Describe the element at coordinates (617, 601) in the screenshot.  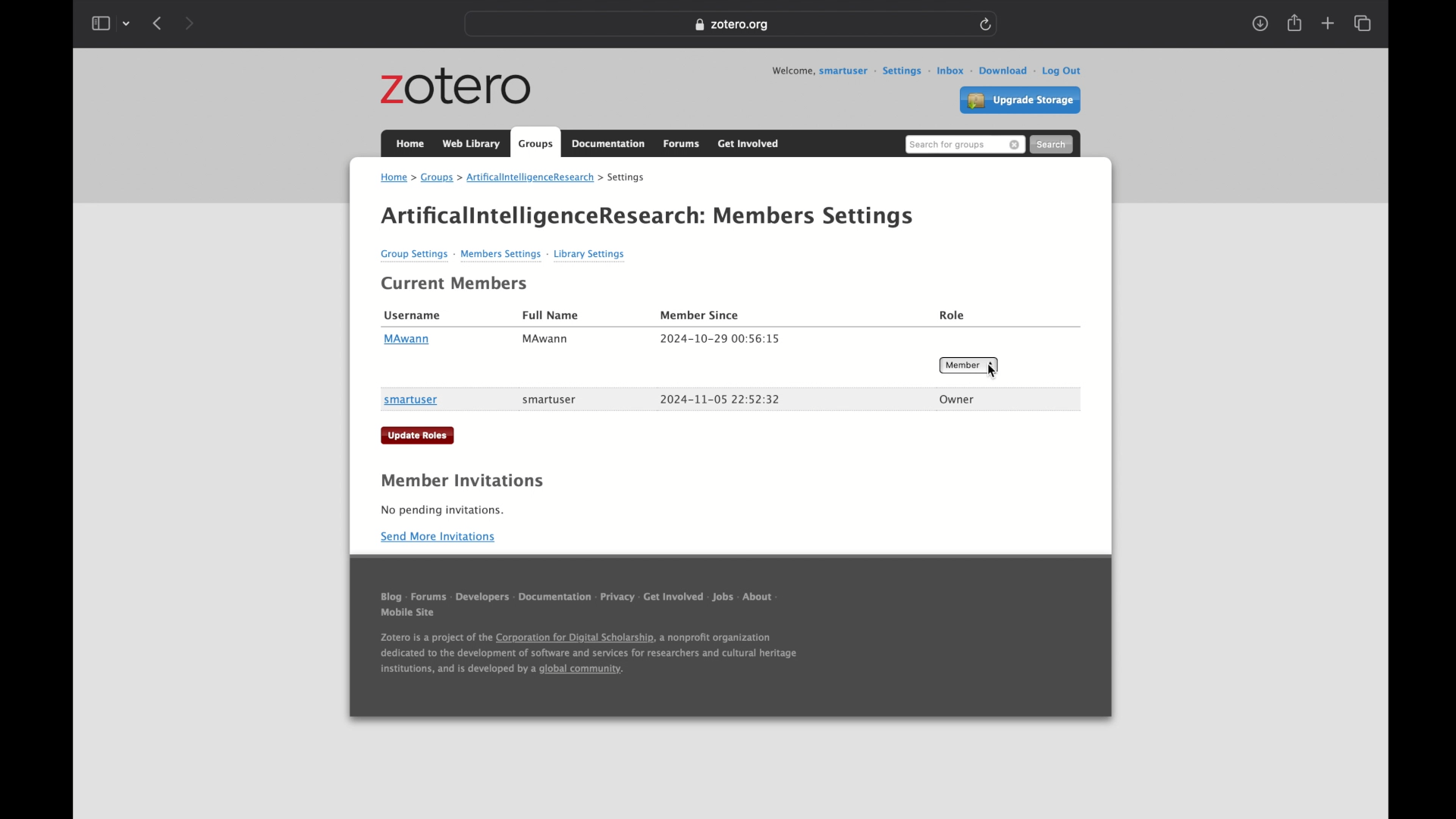
I see `privacy` at that location.